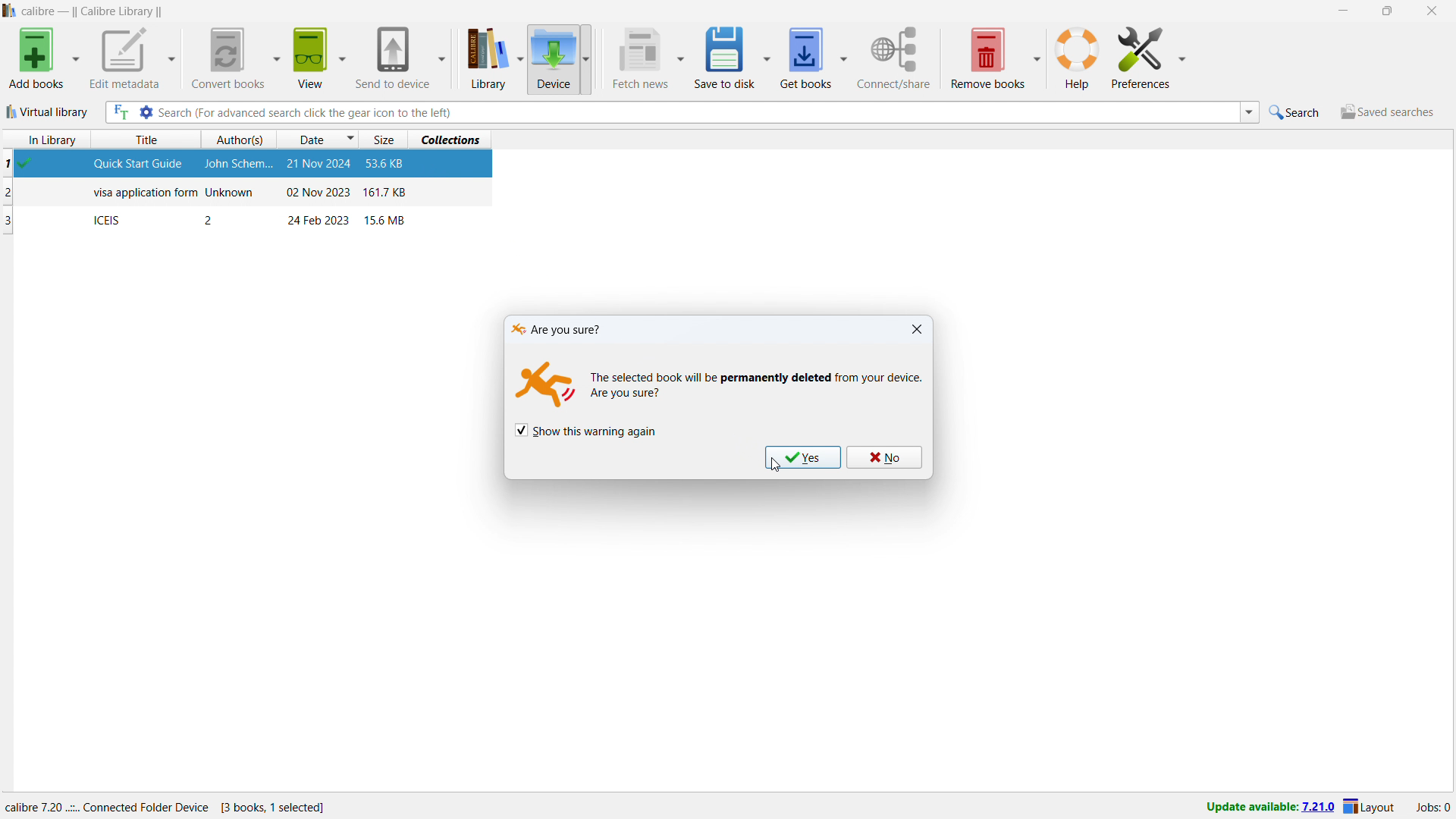 This screenshot has height=819, width=1456. I want to click on remove books options, so click(1037, 55).